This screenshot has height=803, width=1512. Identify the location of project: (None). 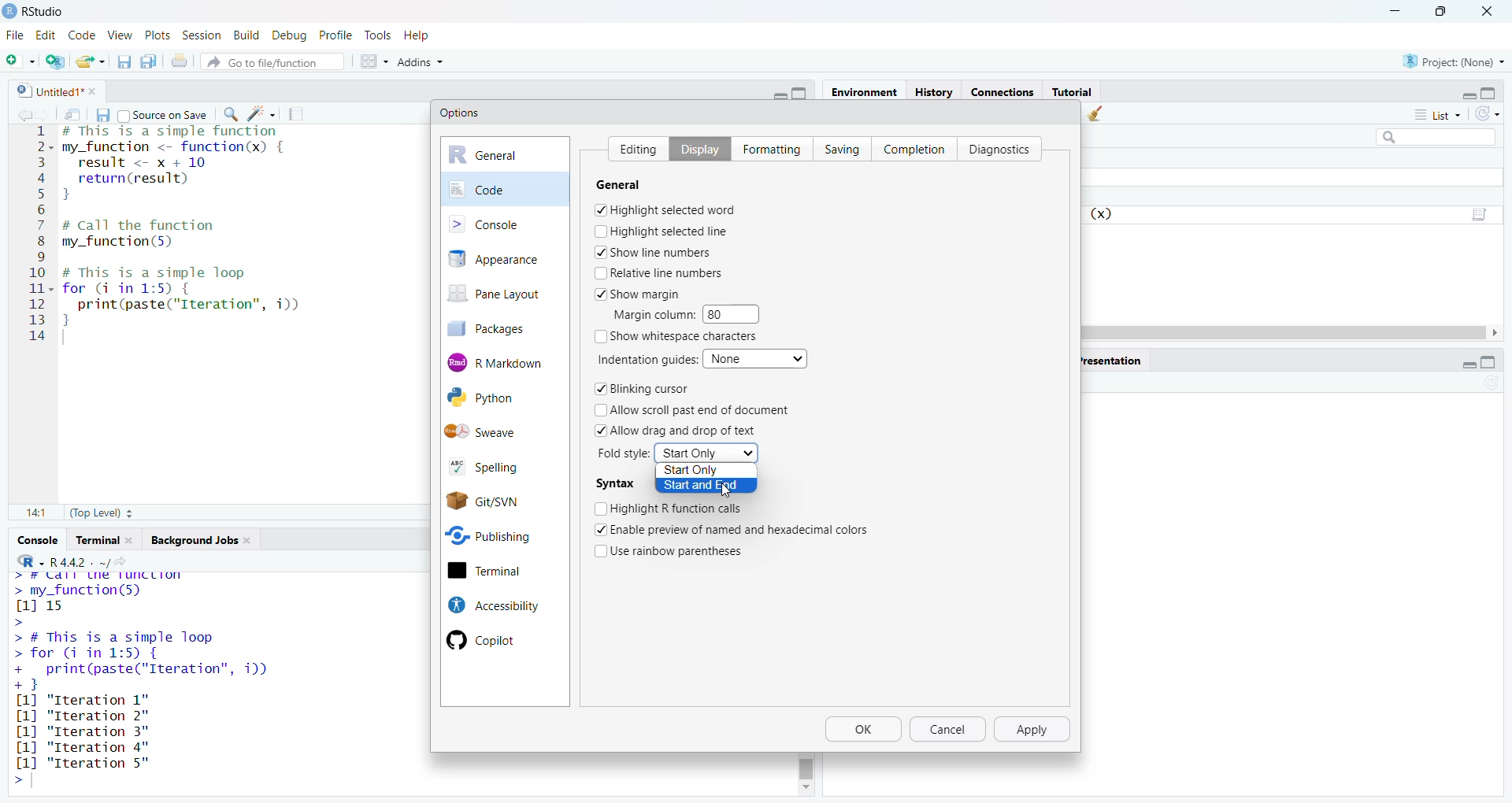
(1455, 62).